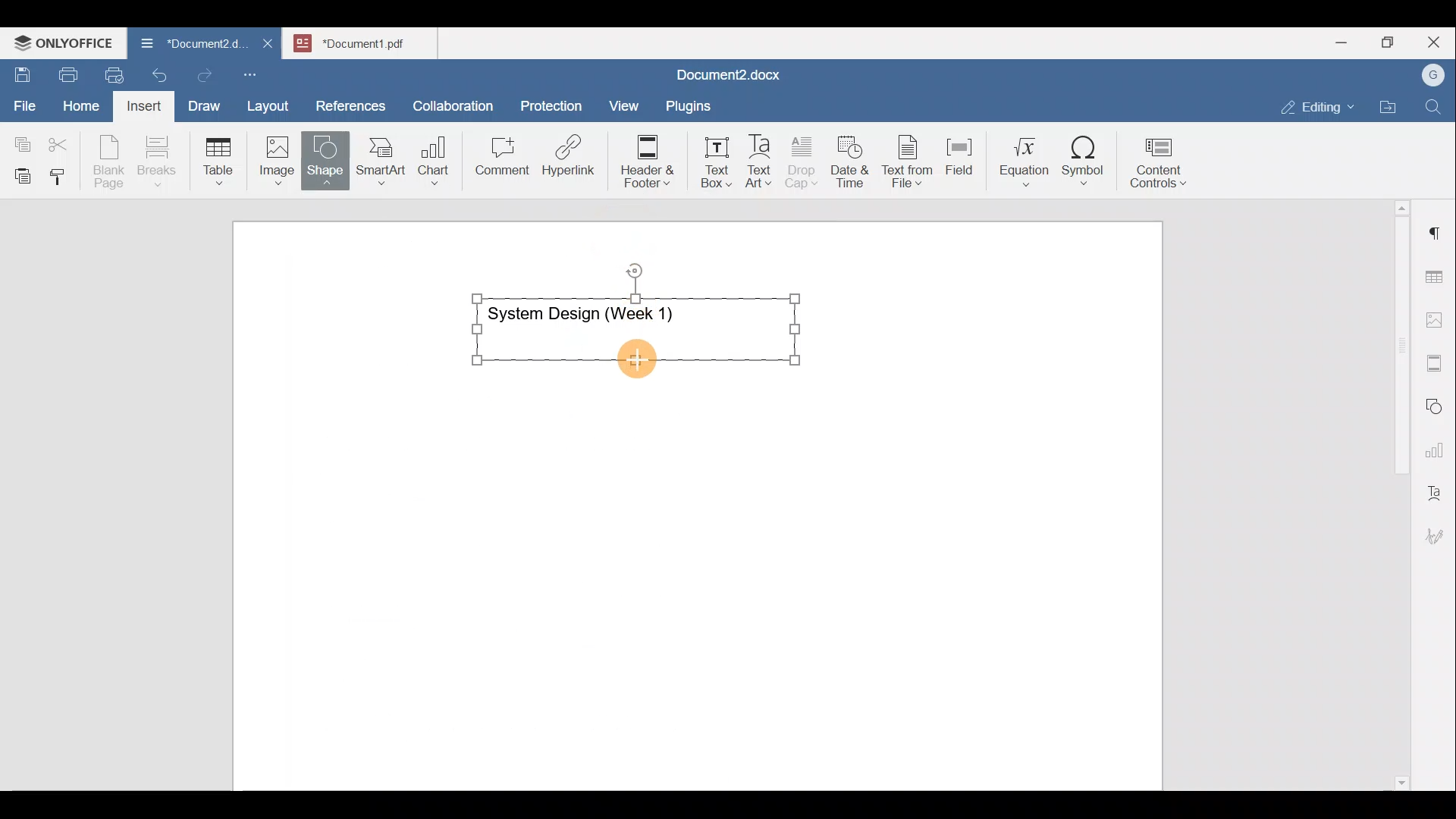 The width and height of the screenshot is (1456, 819). Describe the element at coordinates (327, 153) in the screenshot. I see `Shape` at that location.